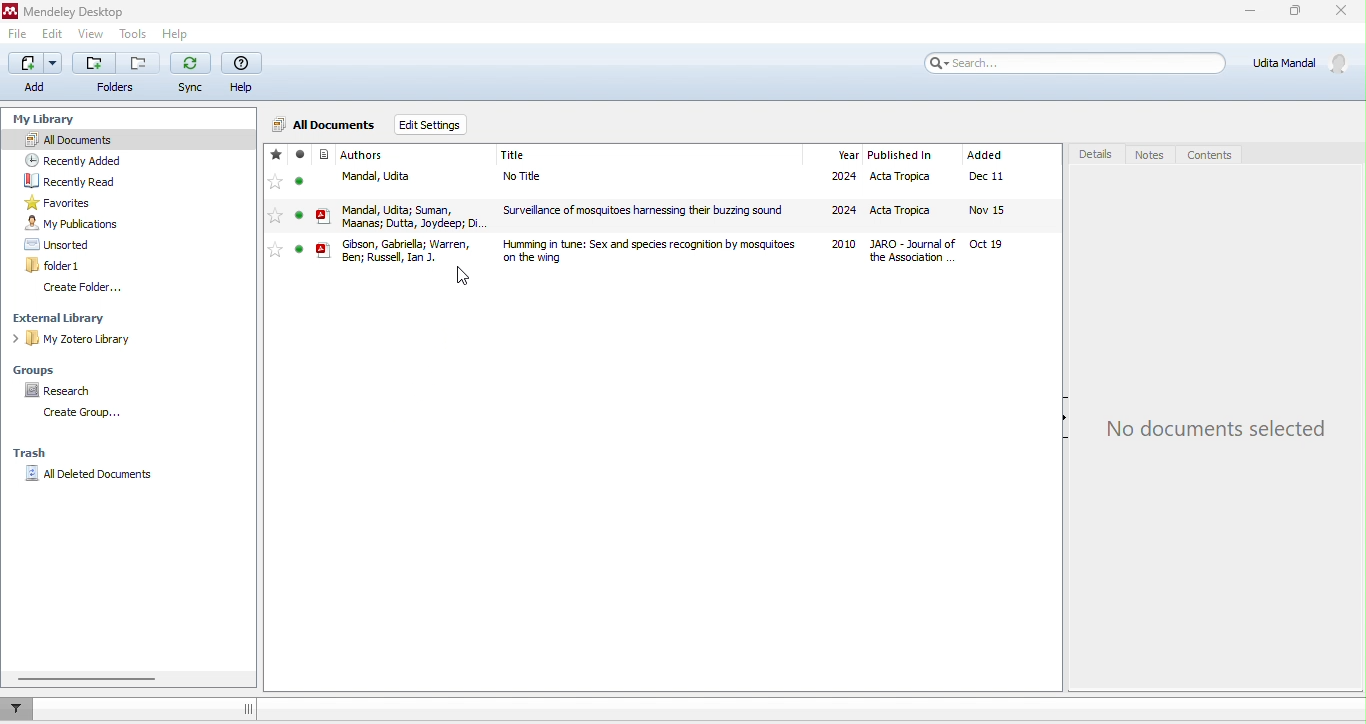  Describe the element at coordinates (1302, 62) in the screenshot. I see `account` at that location.